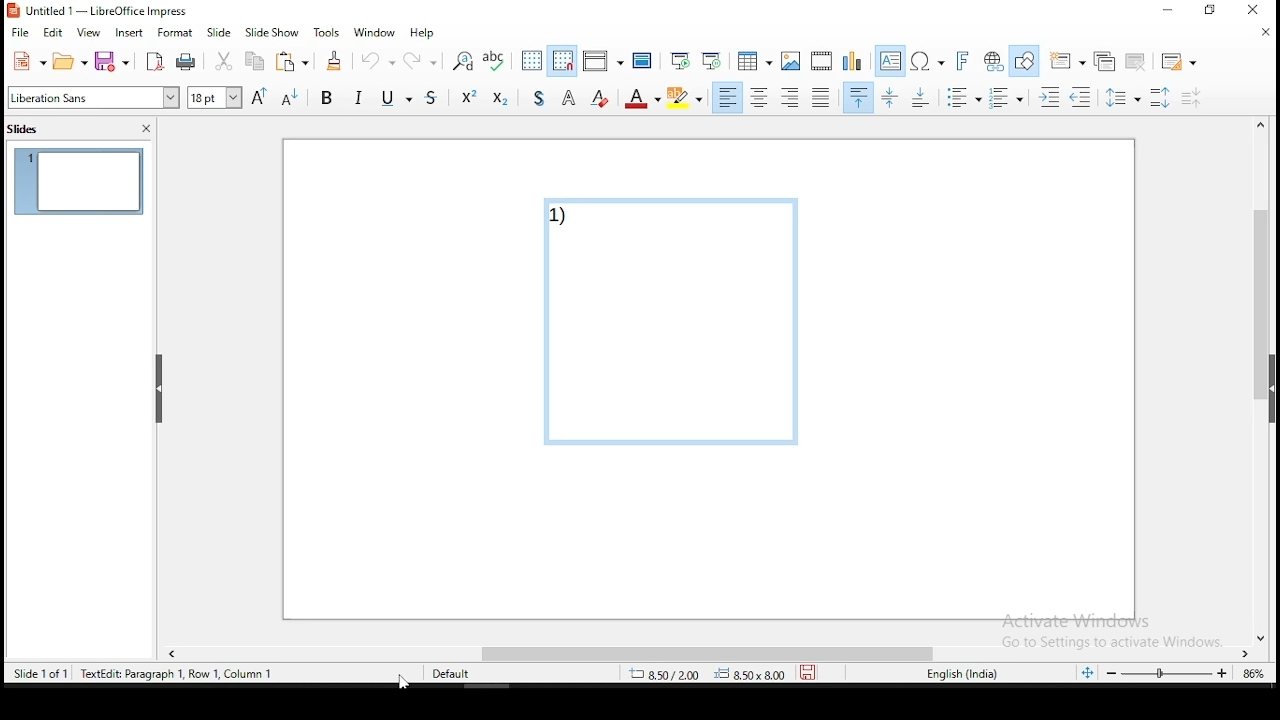  What do you see at coordinates (112, 60) in the screenshot?
I see `save` at bounding box center [112, 60].